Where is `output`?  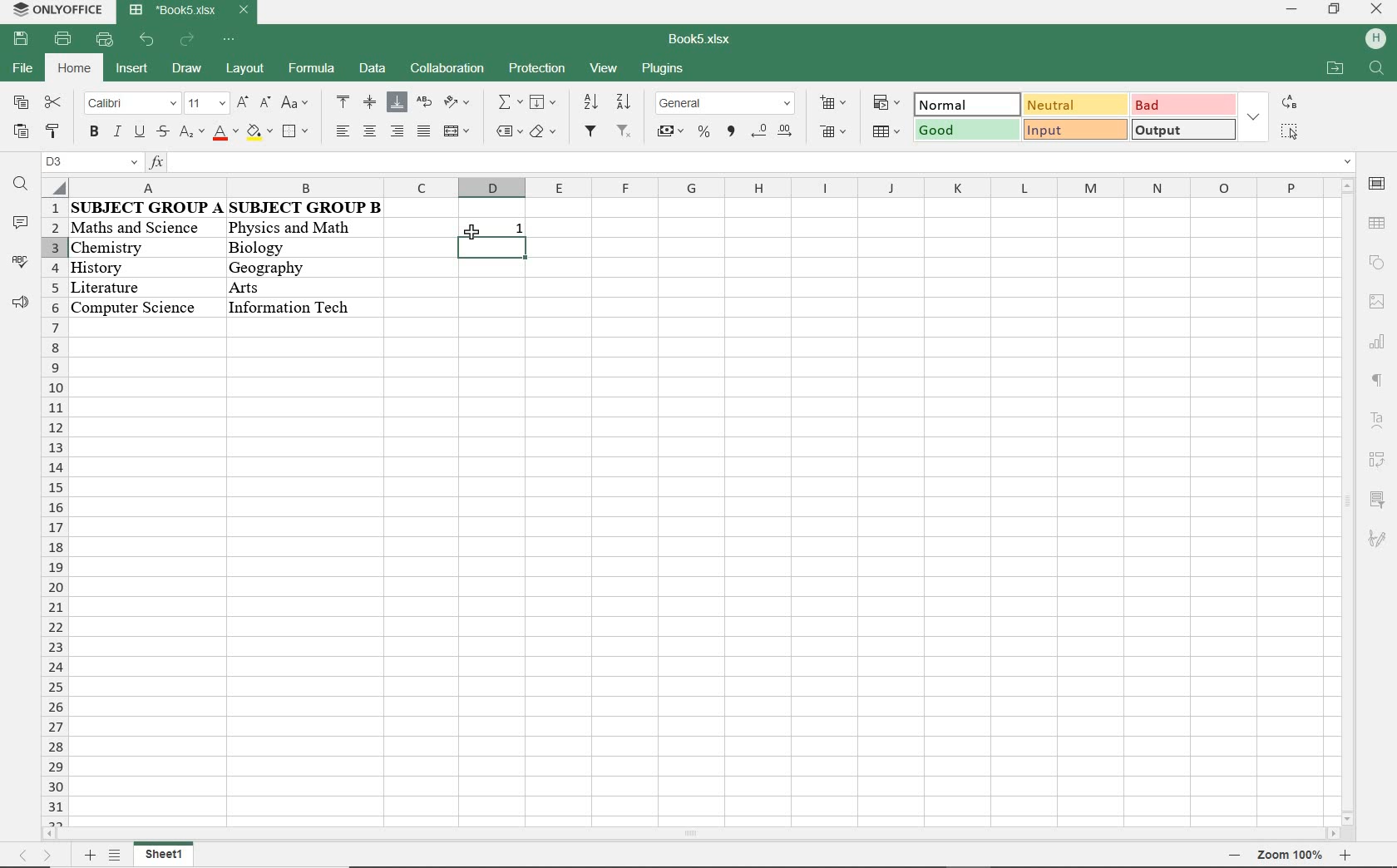
output is located at coordinates (1184, 130).